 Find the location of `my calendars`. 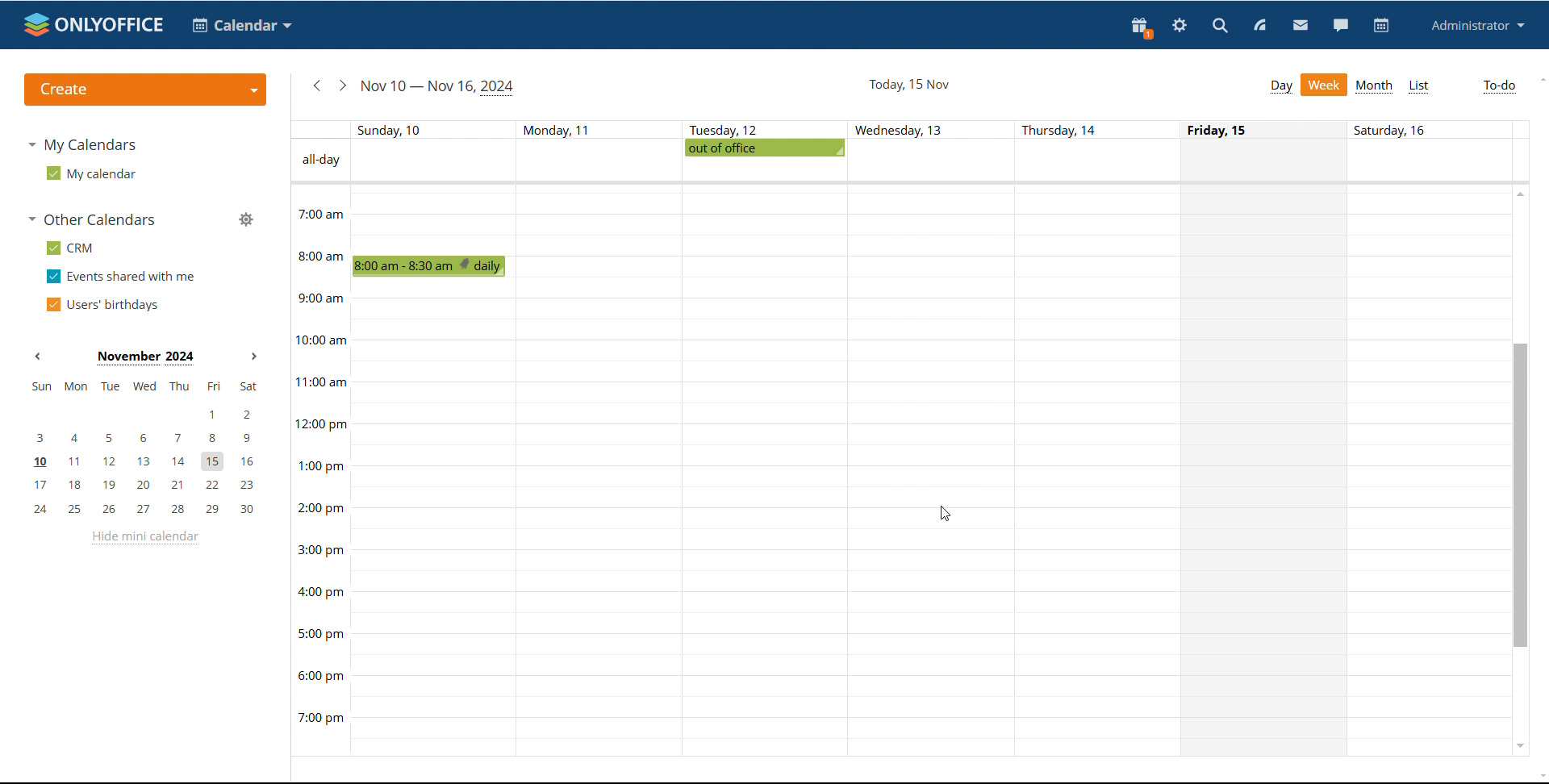

my calendars is located at coordinates (83, 145).